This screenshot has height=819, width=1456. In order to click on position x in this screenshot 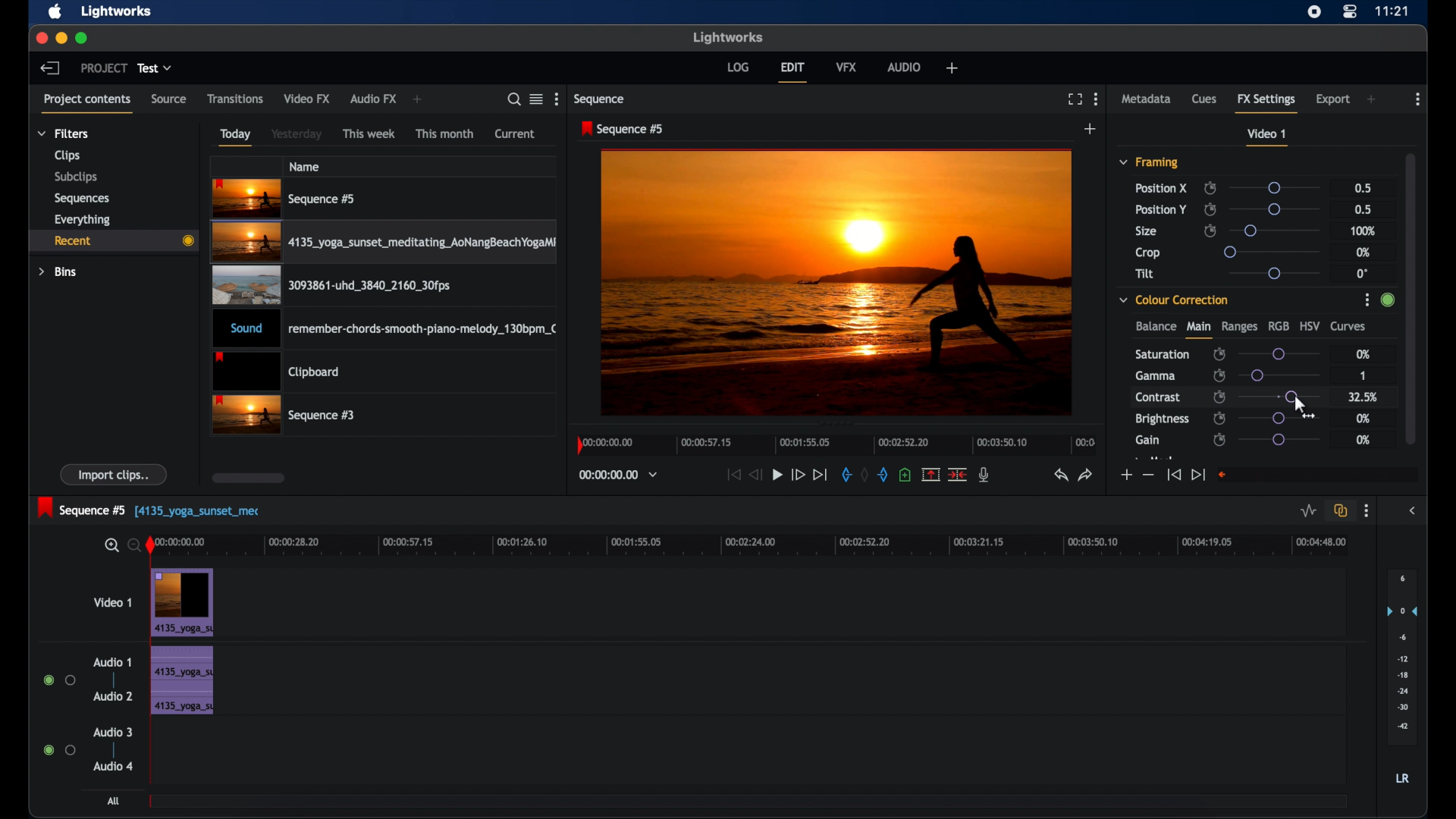, I will do `click(1161, 188)`.